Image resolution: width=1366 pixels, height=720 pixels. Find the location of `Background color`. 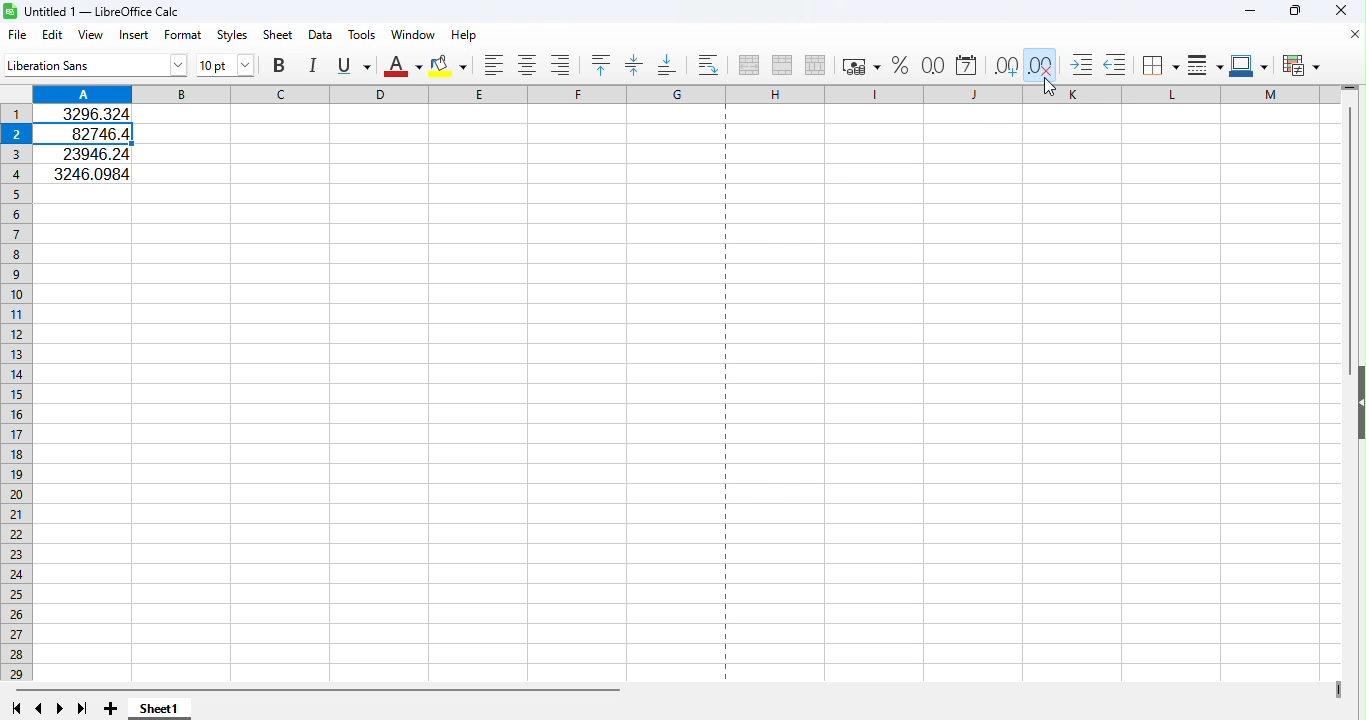

Background color is located at coordinates (449, 66).